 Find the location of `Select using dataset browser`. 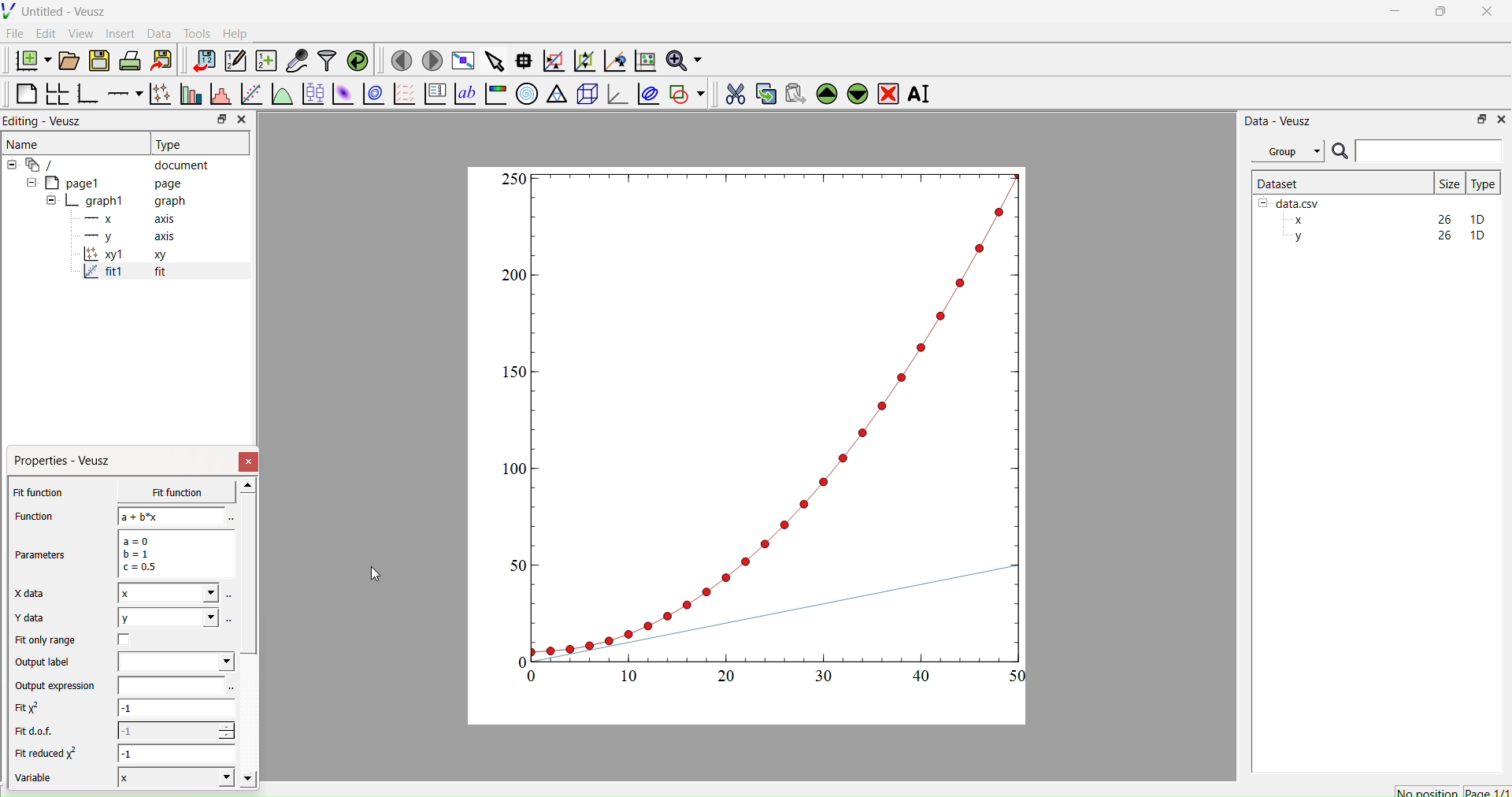

Select using dataset browser is located at coordinates (230, 619).